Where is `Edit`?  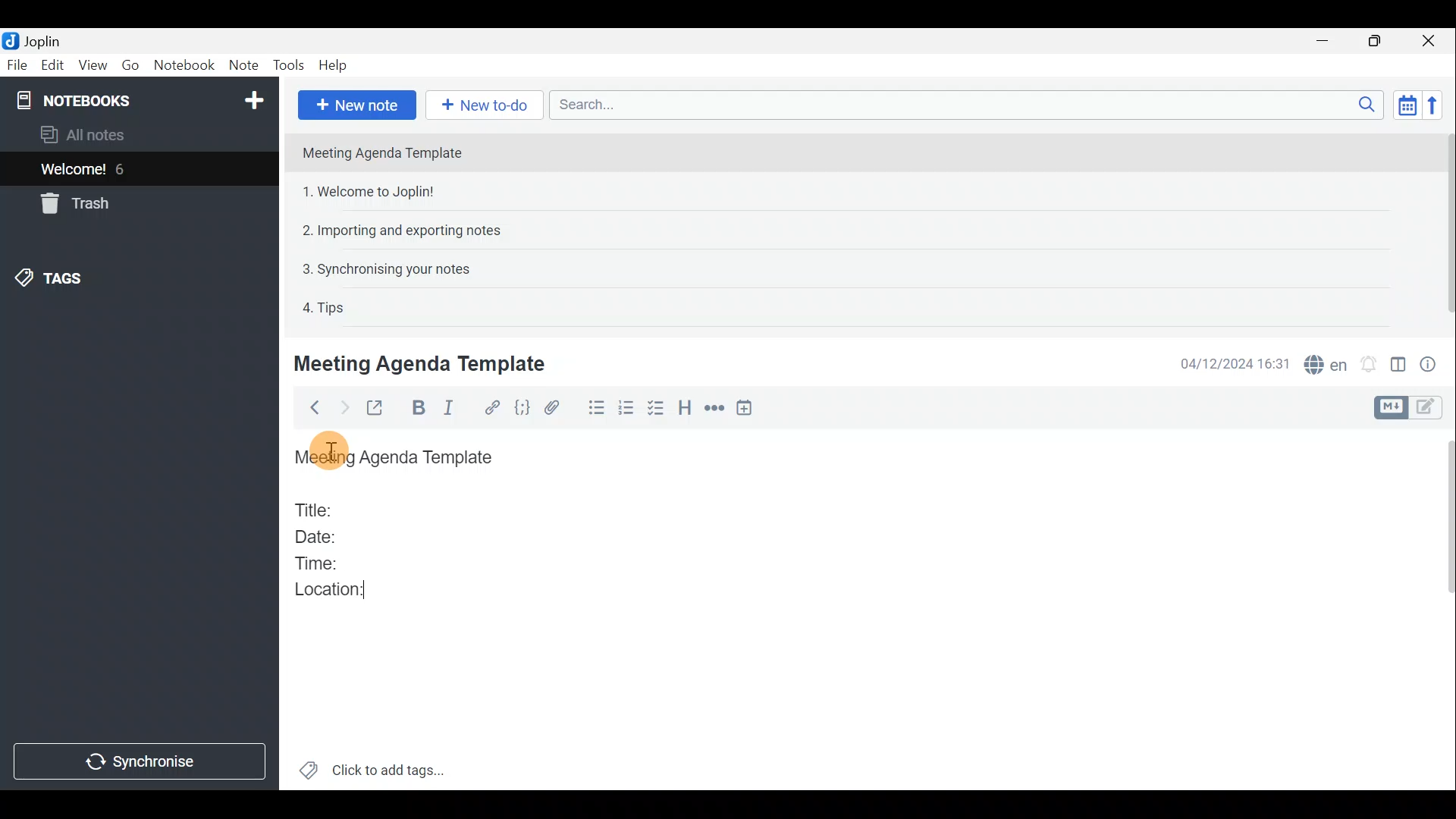
Edit is located at coordinates (53, 67).